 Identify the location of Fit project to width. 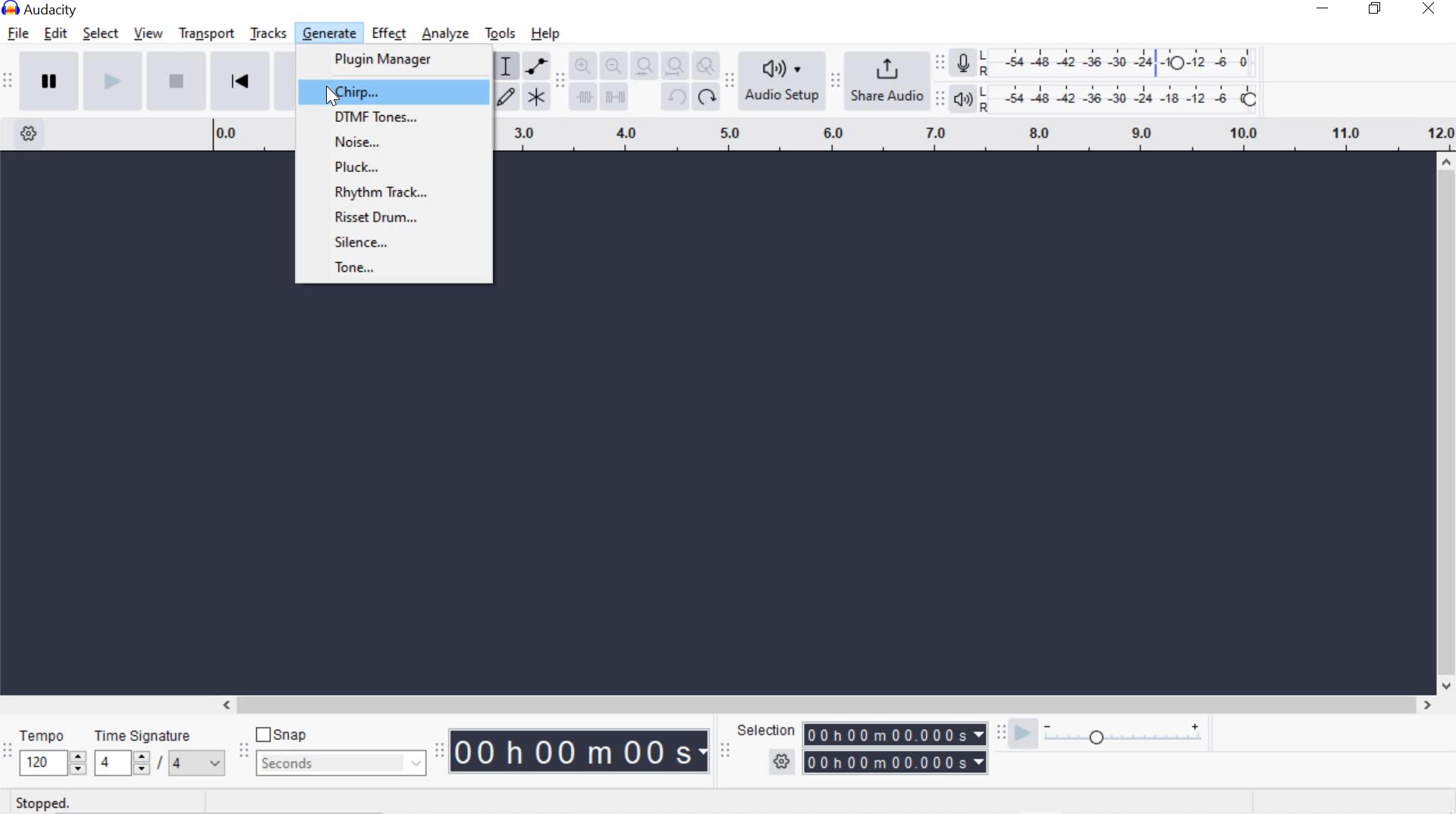
(673, 66).